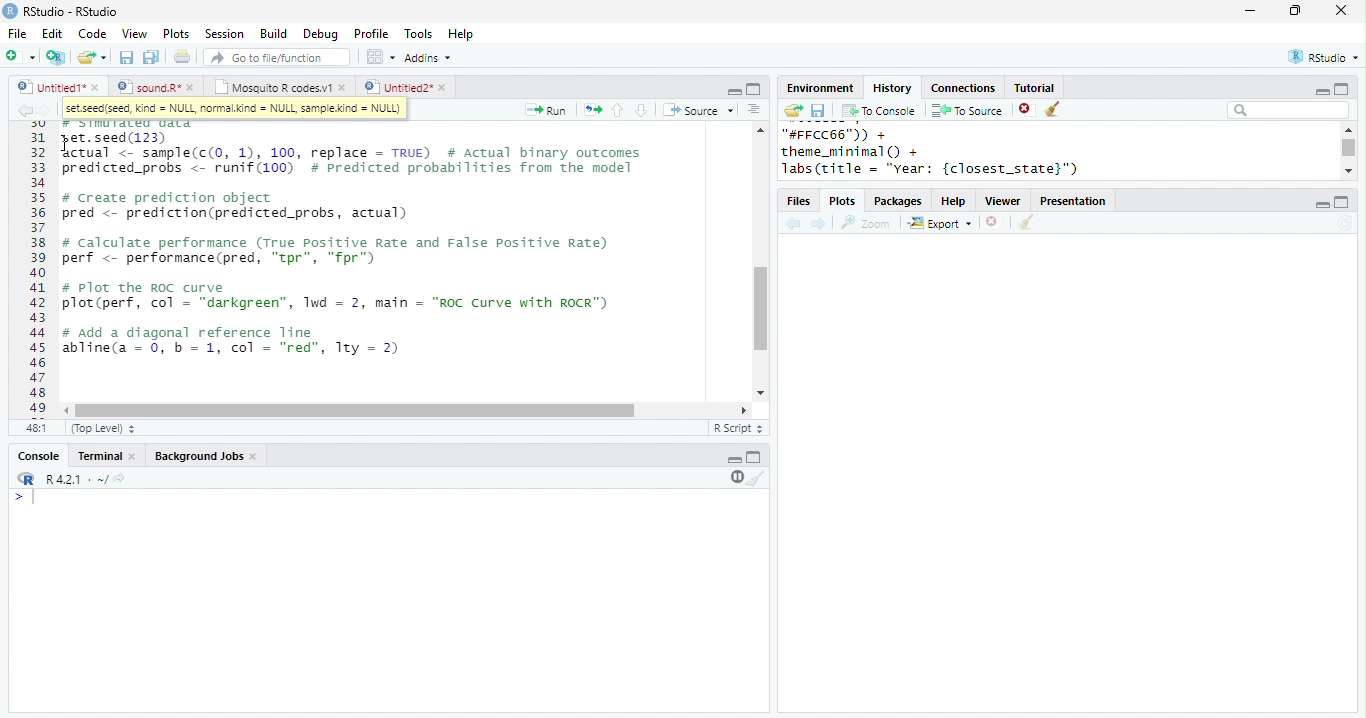 The image size is (1366, 718). I want to click on save, so click(126, 57).